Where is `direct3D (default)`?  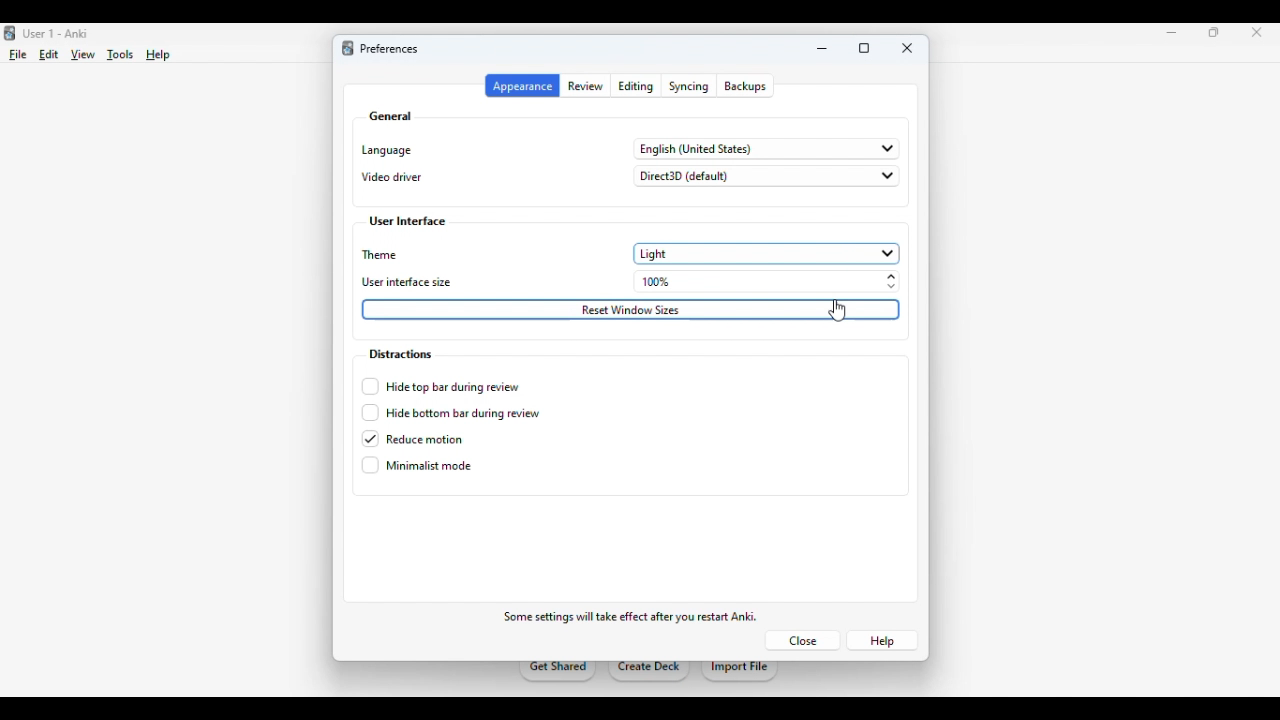 direct3D (default) is located at coordinates (766, 176).